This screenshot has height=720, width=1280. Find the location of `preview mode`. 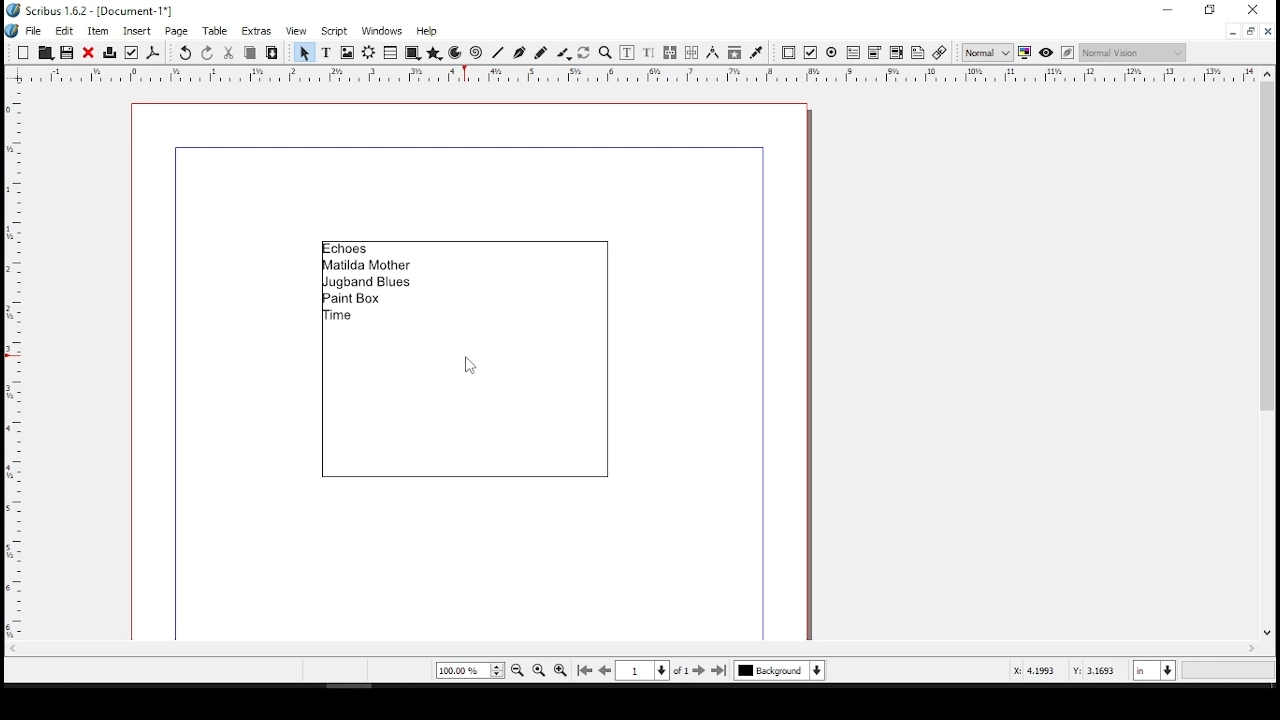

preview mode is located at coordinates (1046, 51).